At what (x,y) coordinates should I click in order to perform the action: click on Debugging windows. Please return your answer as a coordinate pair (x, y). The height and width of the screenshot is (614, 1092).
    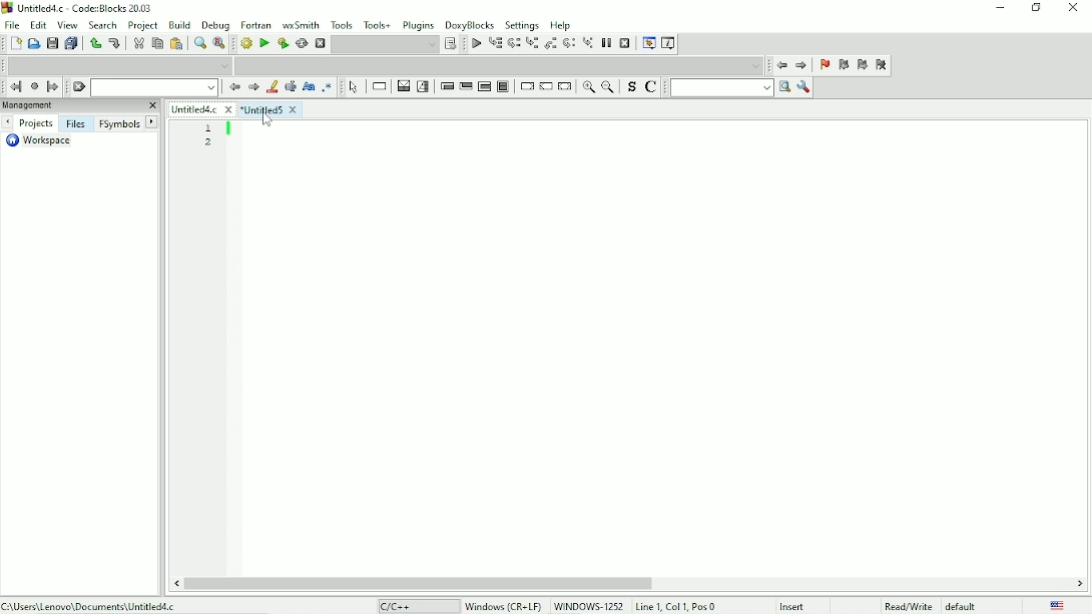
    Looking at the image, I should click on (648, 44).